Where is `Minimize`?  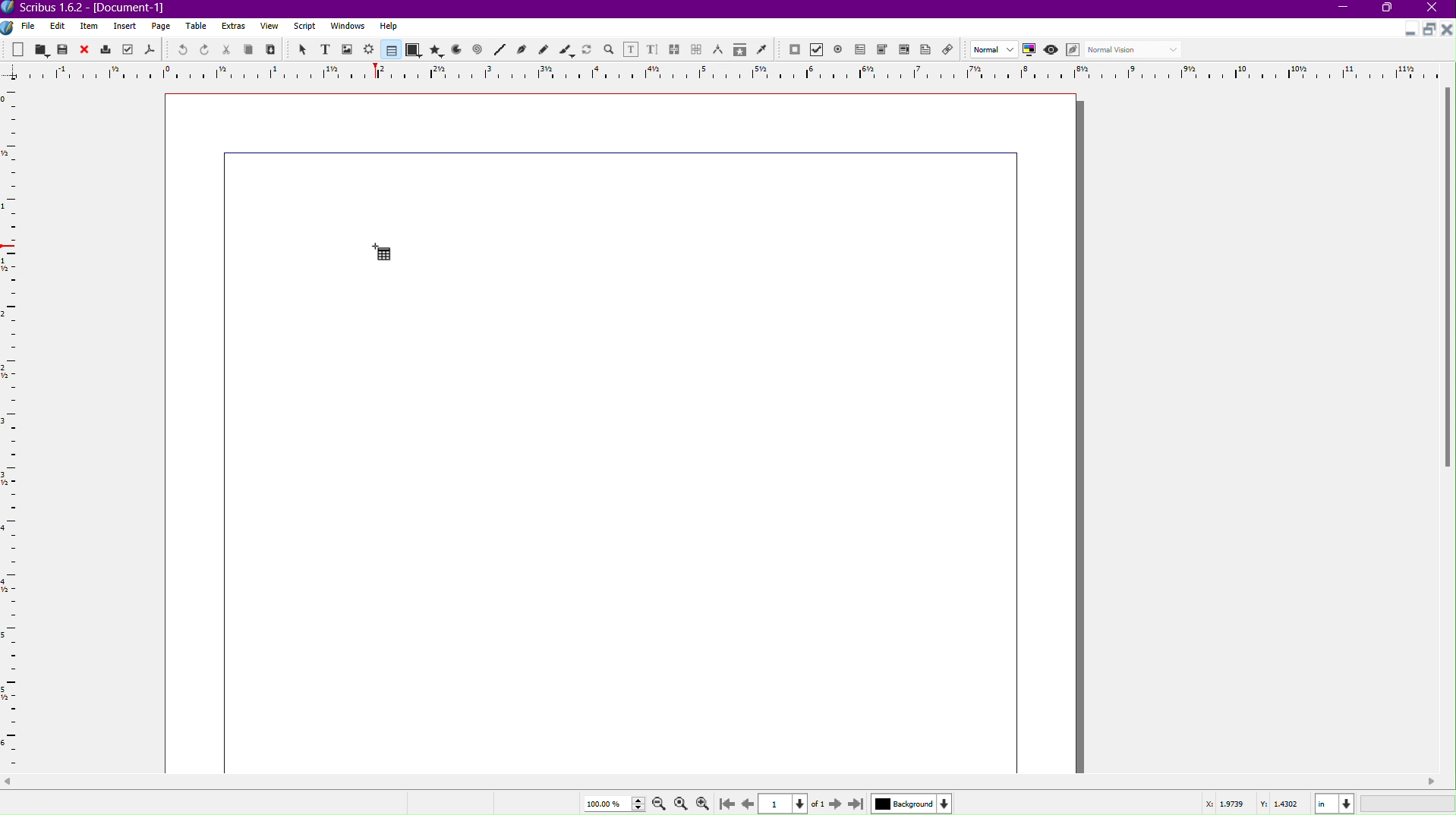 Minimize is located at coordinates (1344, 9).